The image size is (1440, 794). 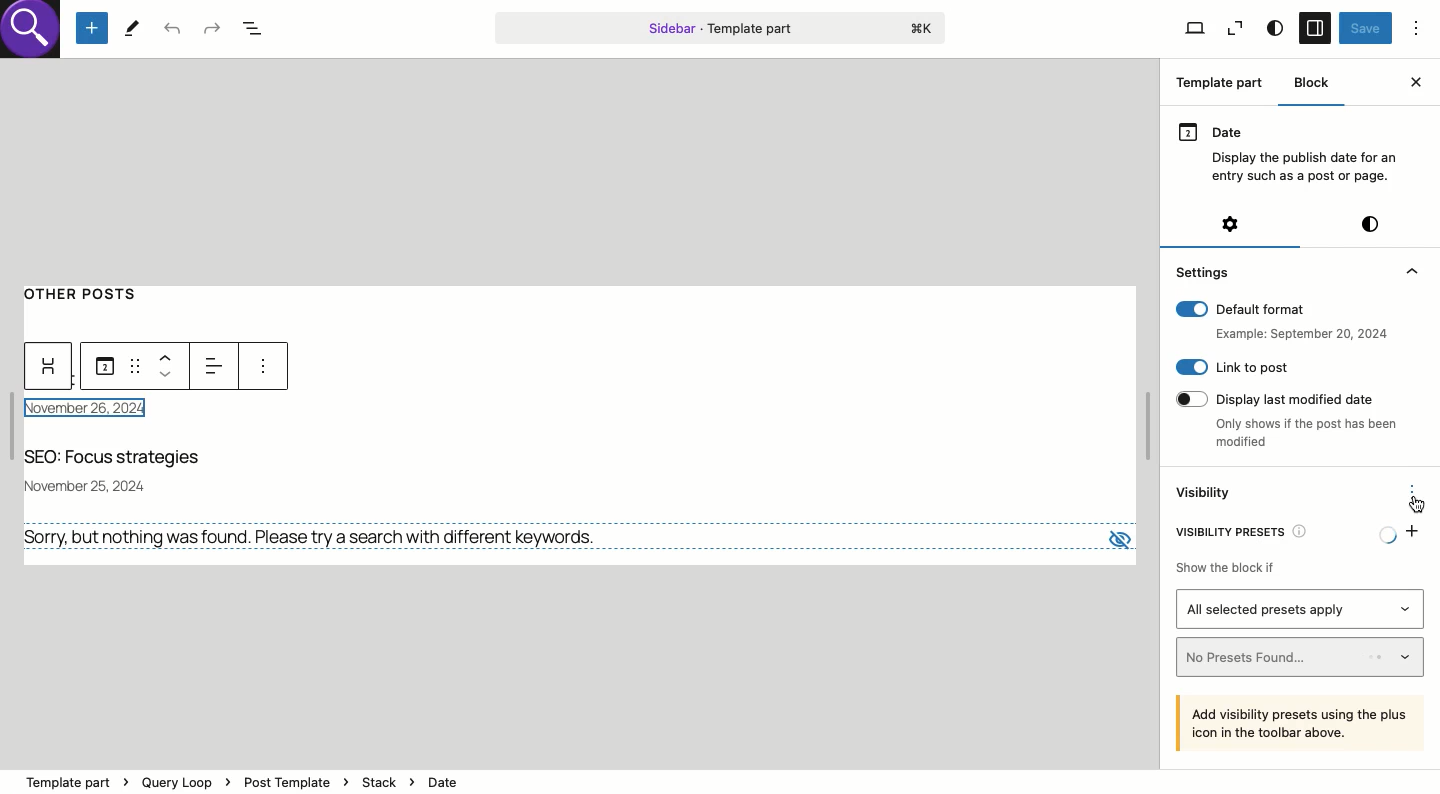 What do you see at coordinates (121, 459) in the screenshot?
I see `Title` at bounding box center [121, 459].